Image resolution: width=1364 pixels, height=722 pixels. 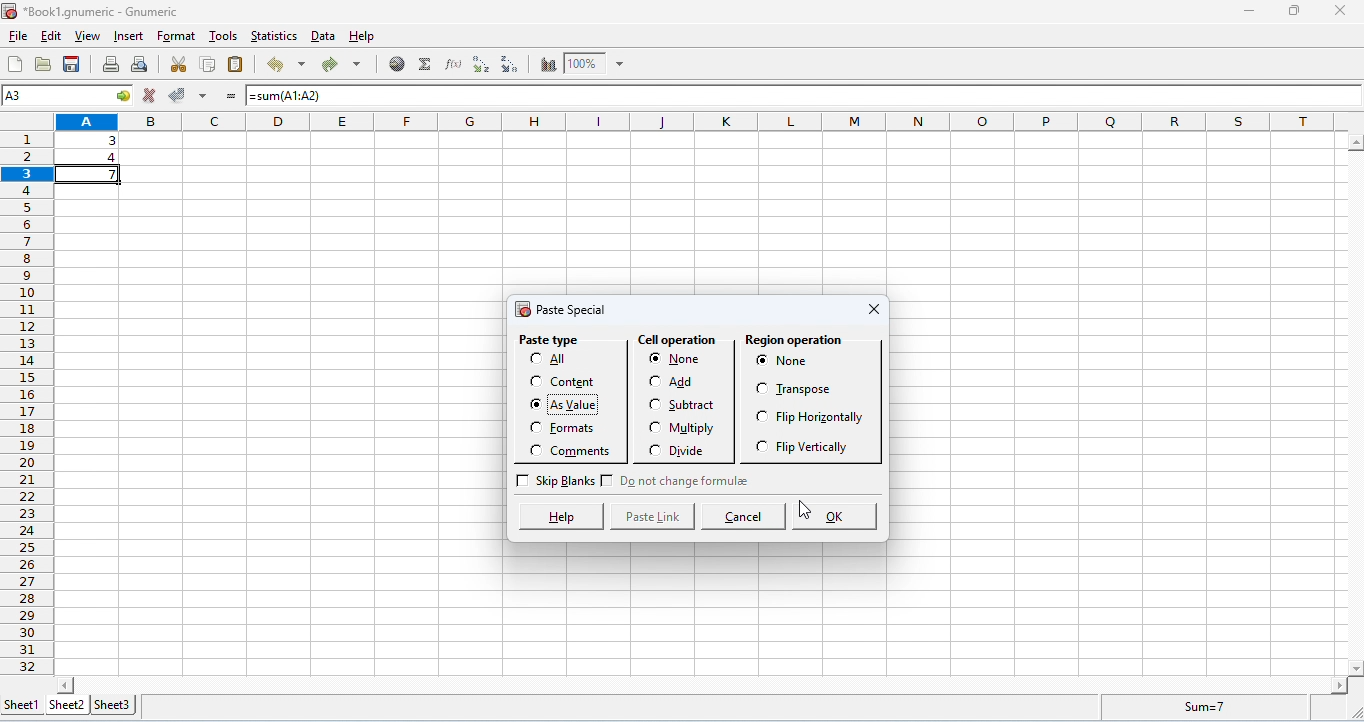 I want to click on undo, so click(x=284, y=66).